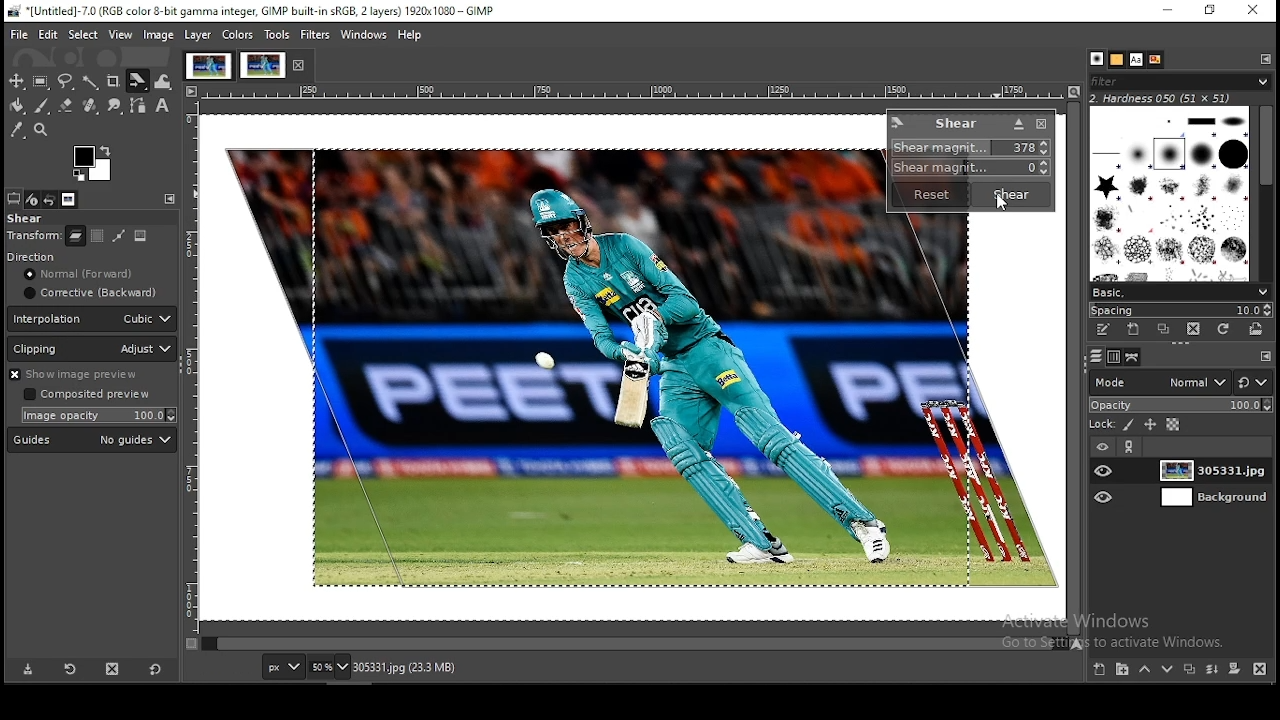  What do you see at coordinates (1224, 330) in the screenshot?
I see `refresh brushes` at bounding box center [1224, 330].